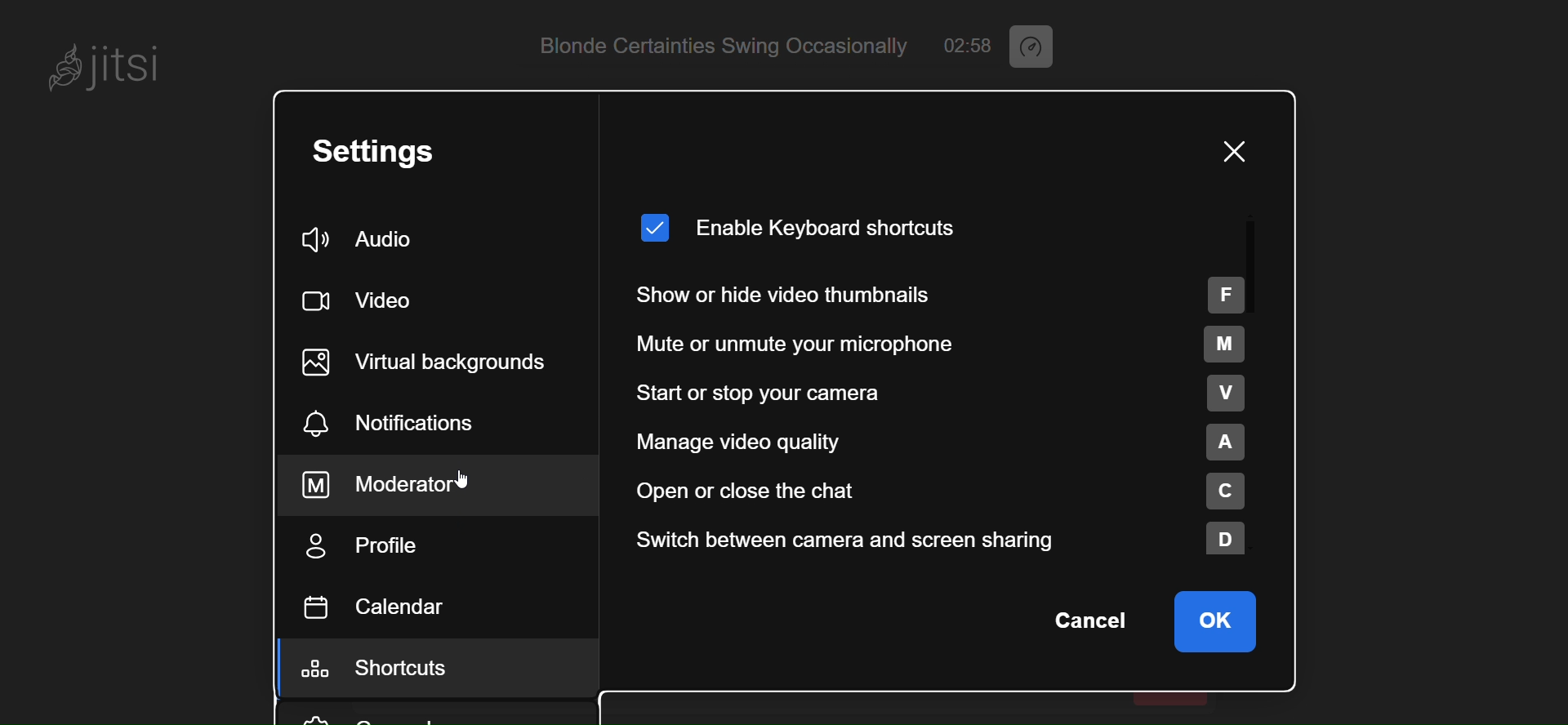 The height and width of the screenshot is (725, 1568). Describe the element at coordinates (403, 485) in the screenshot. I see `moderator` at that location.